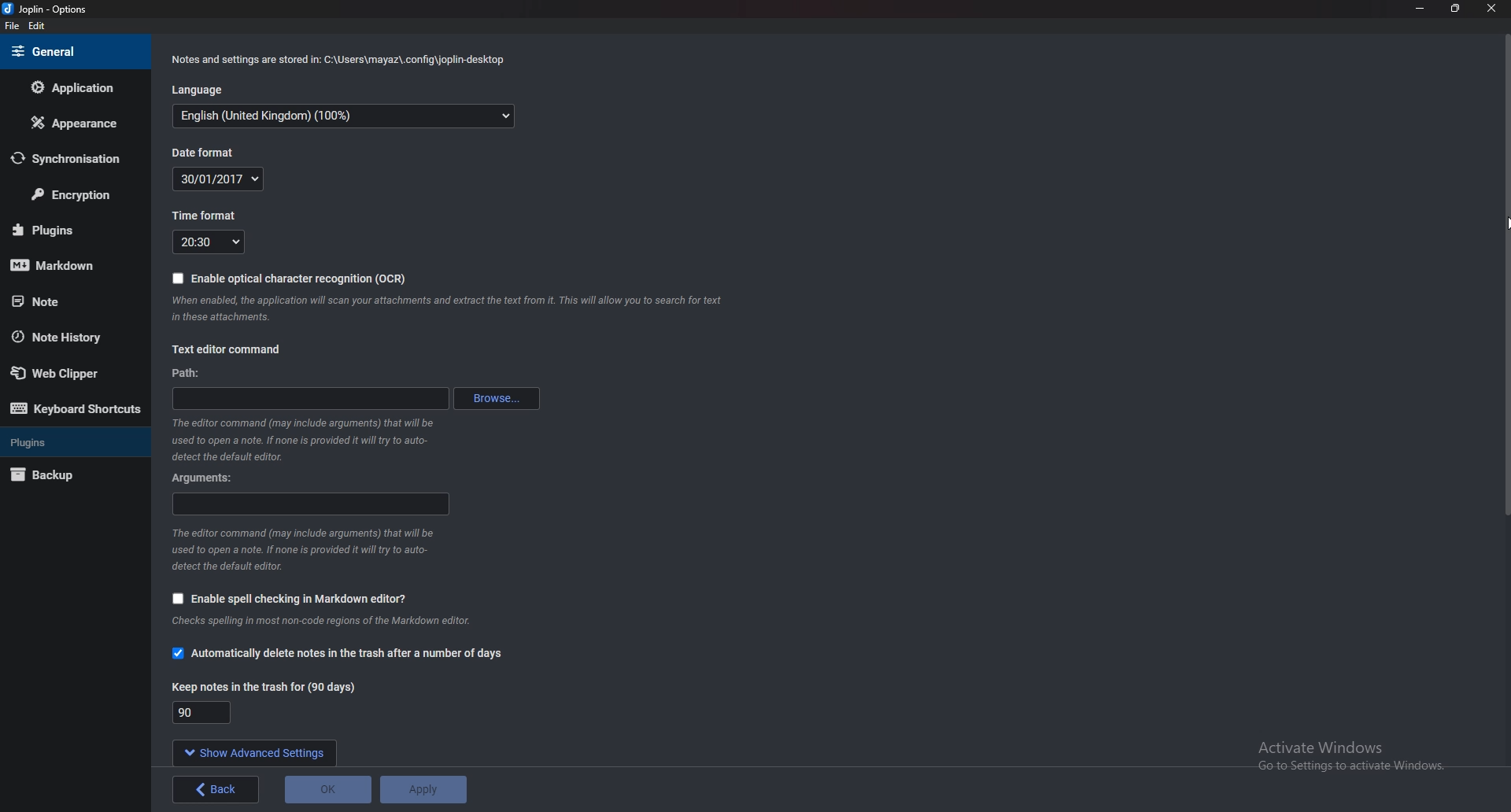 The image size is (1511, 812). I want to click on Browse, so click(497, 399).